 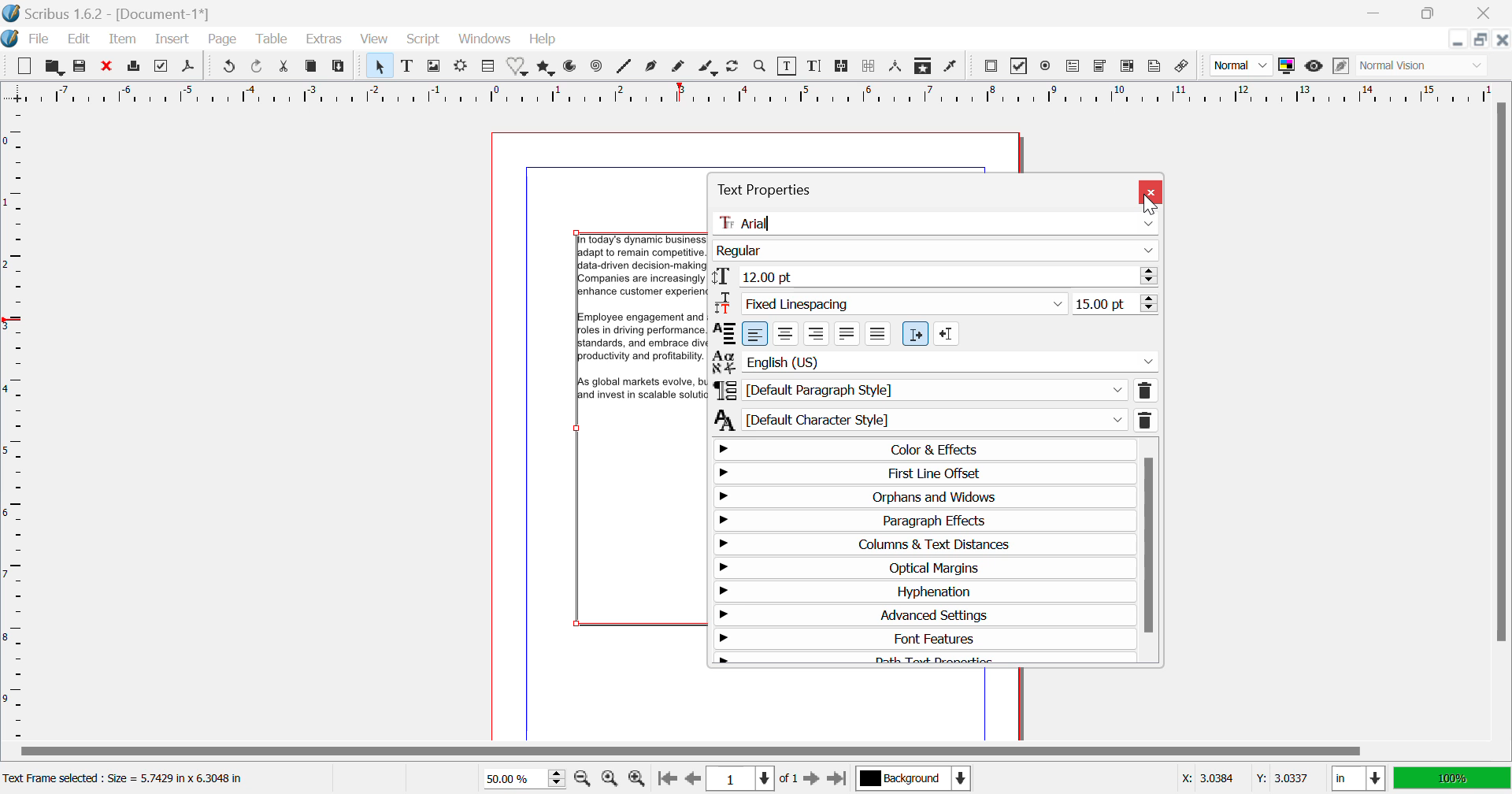 I want to click on Text Frame selected : Size = 5.7425 in x 6.3048 in, so click(x=128, y=780).